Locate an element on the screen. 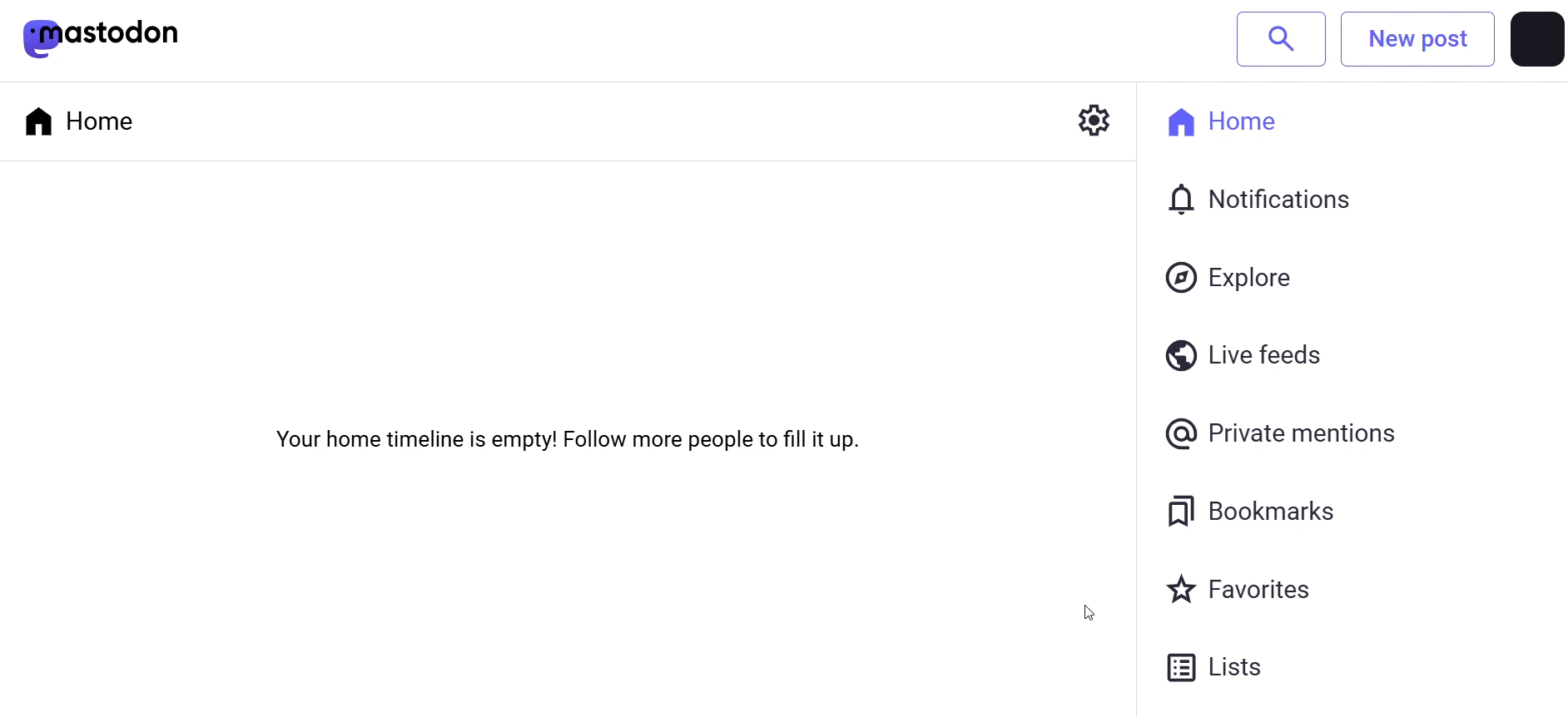  profile picture is located at coordinates (1536, 38).